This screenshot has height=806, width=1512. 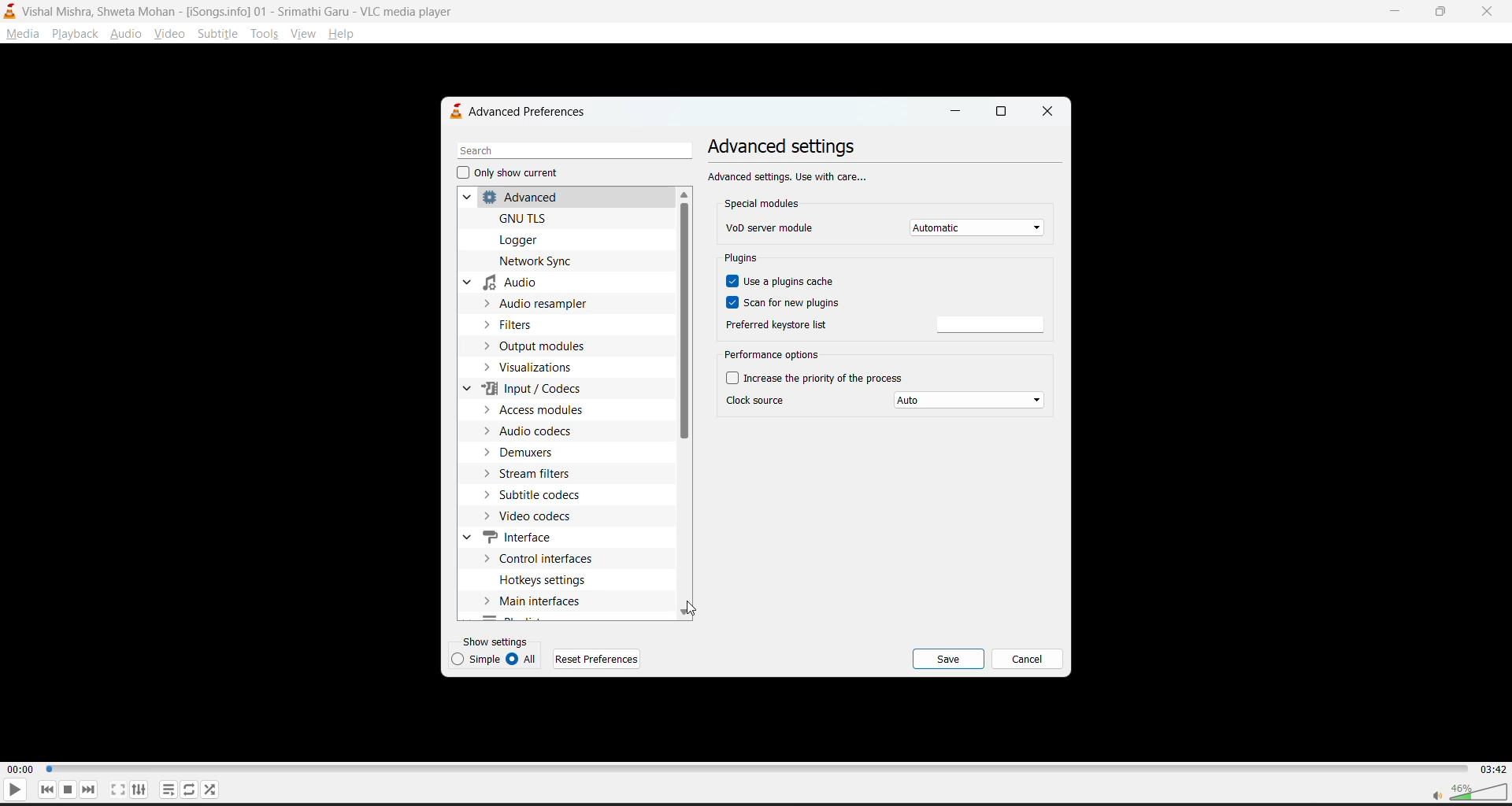 I want to click on advanced, so click(x=509, y=199).